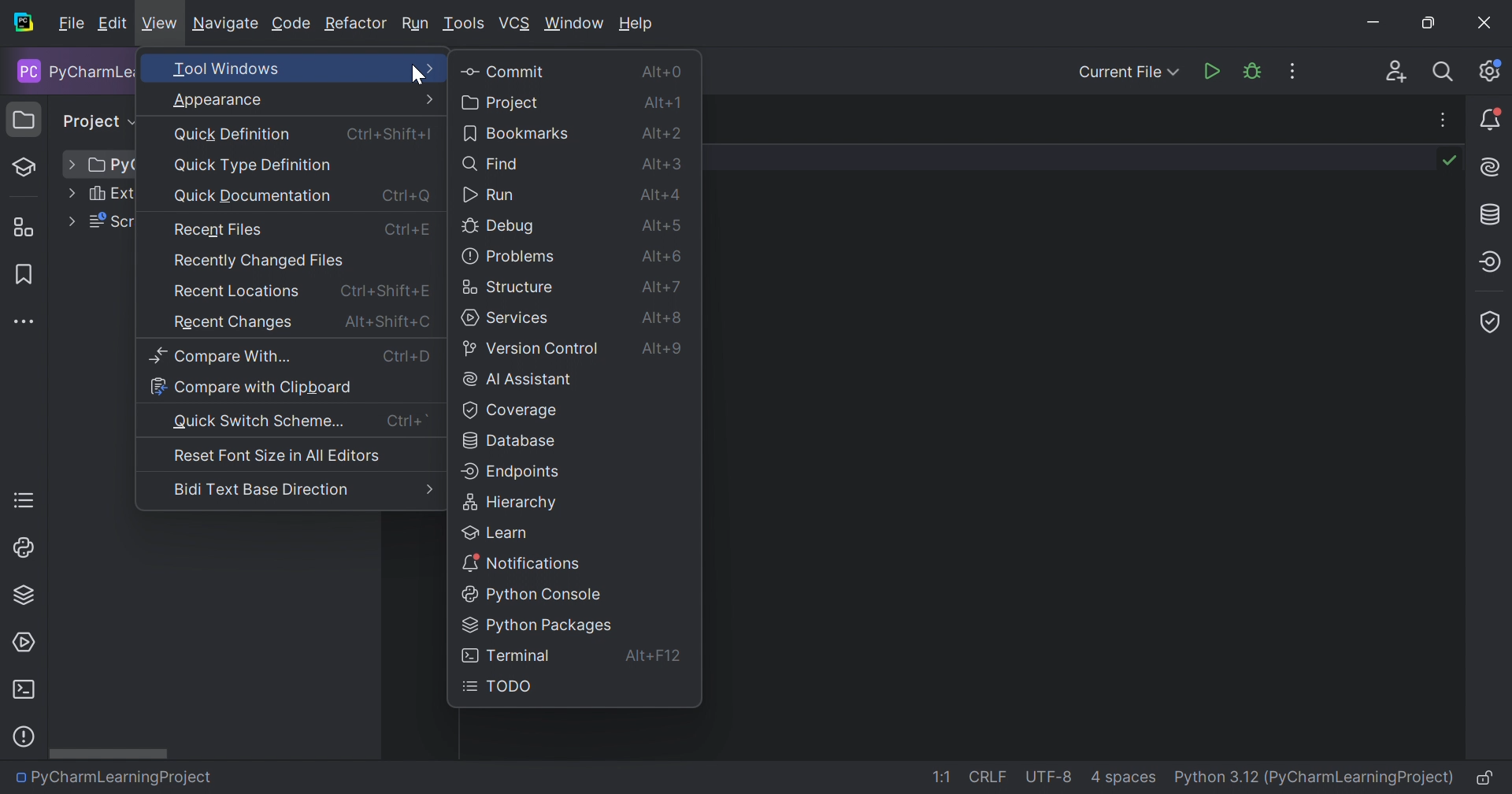 This screenshot has width=1512, height=794. I want to click on Navigate, so click(226, 24).